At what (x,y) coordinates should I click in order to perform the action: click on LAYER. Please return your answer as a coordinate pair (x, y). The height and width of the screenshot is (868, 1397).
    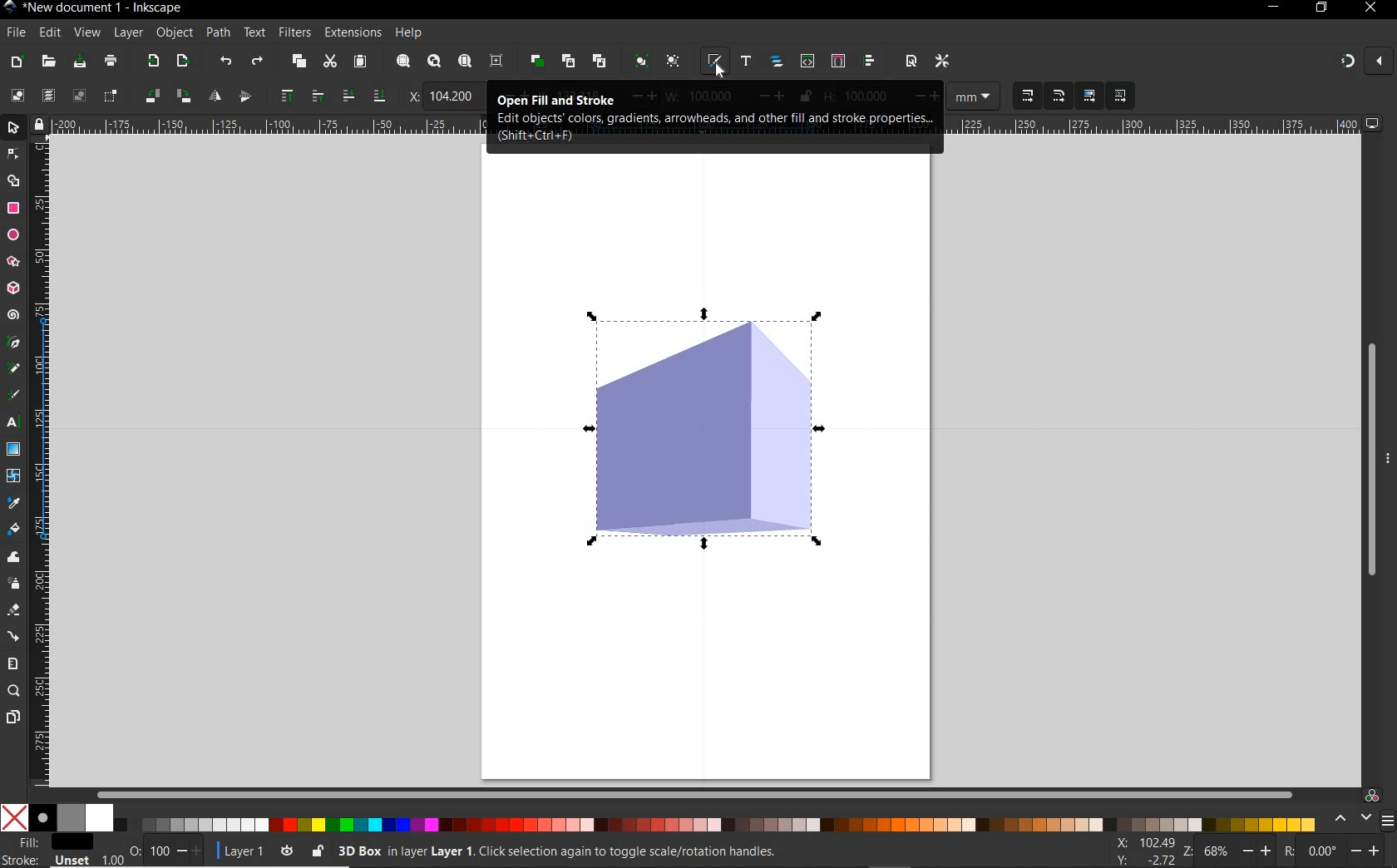
    Looking at the image, I should click on (129, 32).